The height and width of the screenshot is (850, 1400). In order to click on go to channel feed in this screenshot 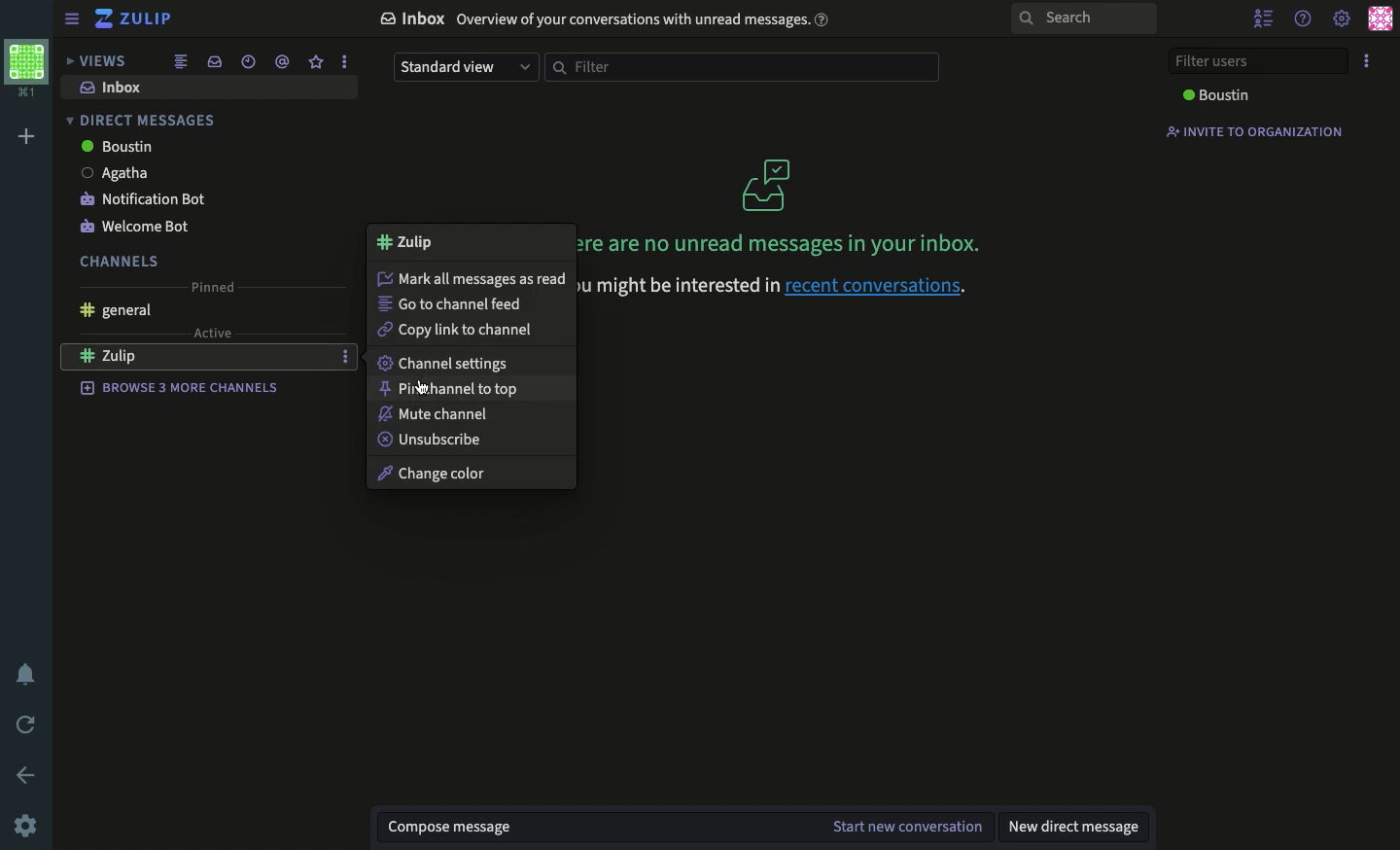, I will do `click(453, 302)`.